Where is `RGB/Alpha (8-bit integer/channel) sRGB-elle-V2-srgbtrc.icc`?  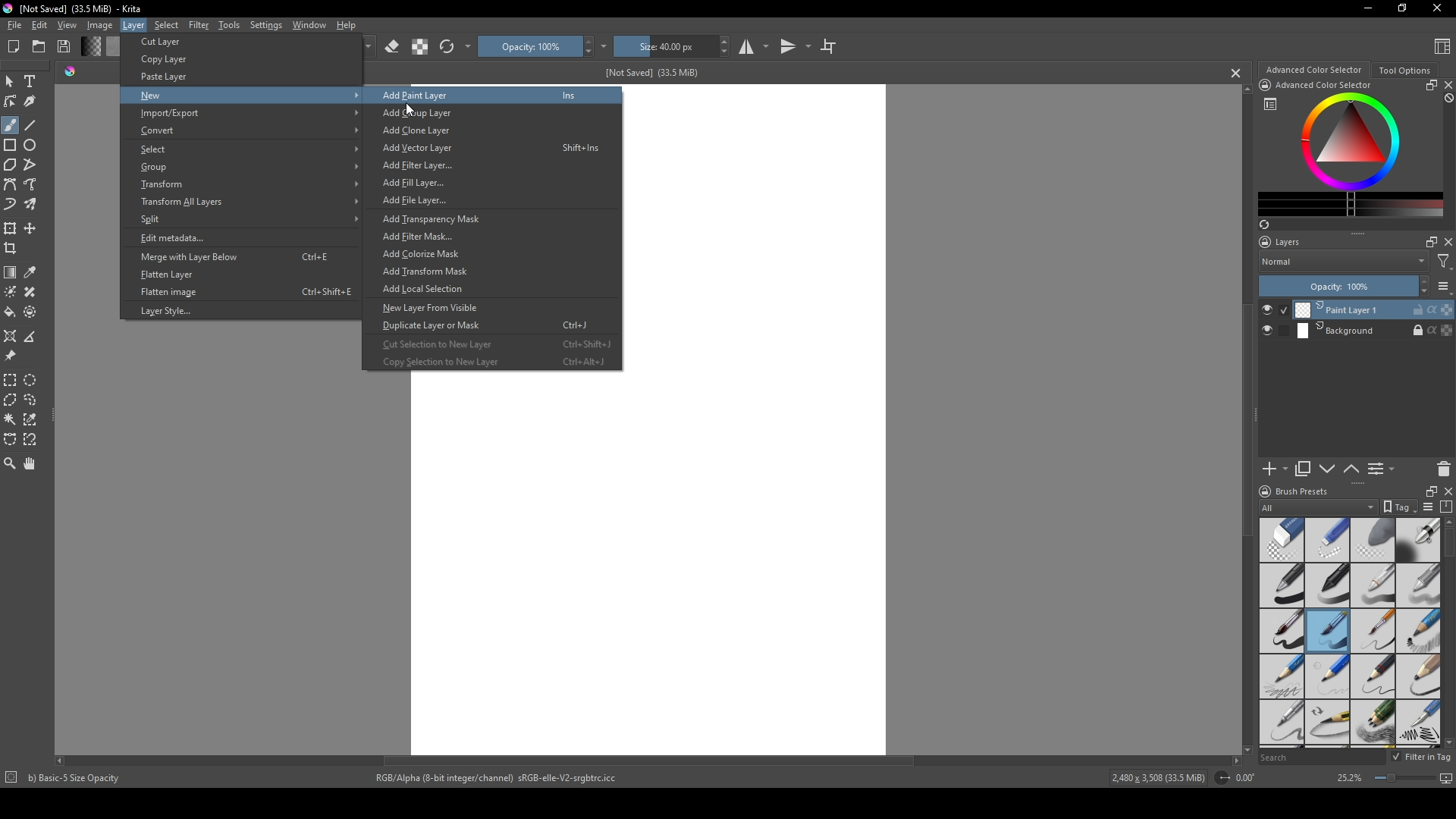 RGB/Alpha (8-bit integer/channel) sRGB-elle-V2-srgbtrc.icc is located at coordinates (503, 778).